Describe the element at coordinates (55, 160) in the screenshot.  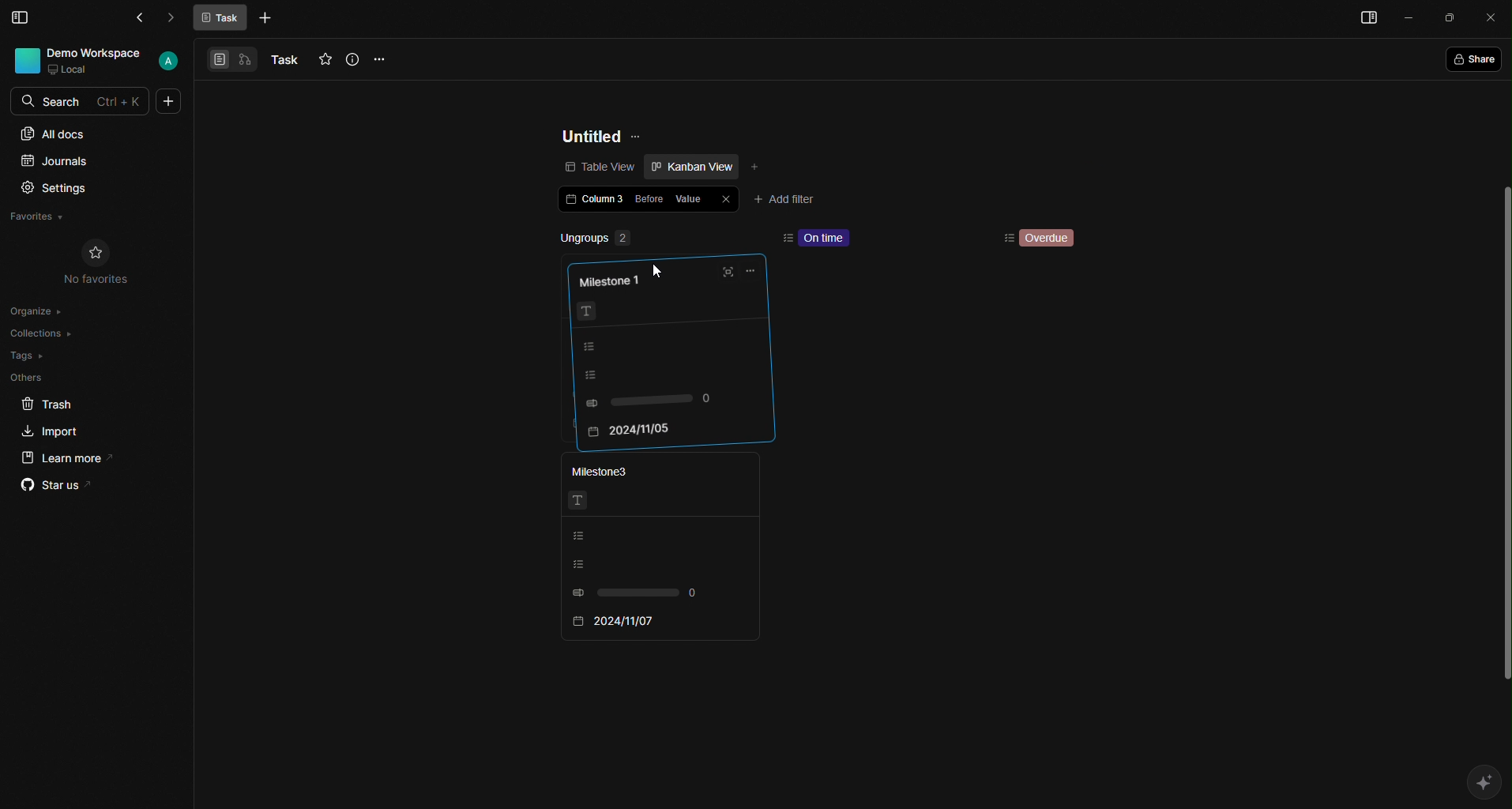
I see `Journals` at that location.